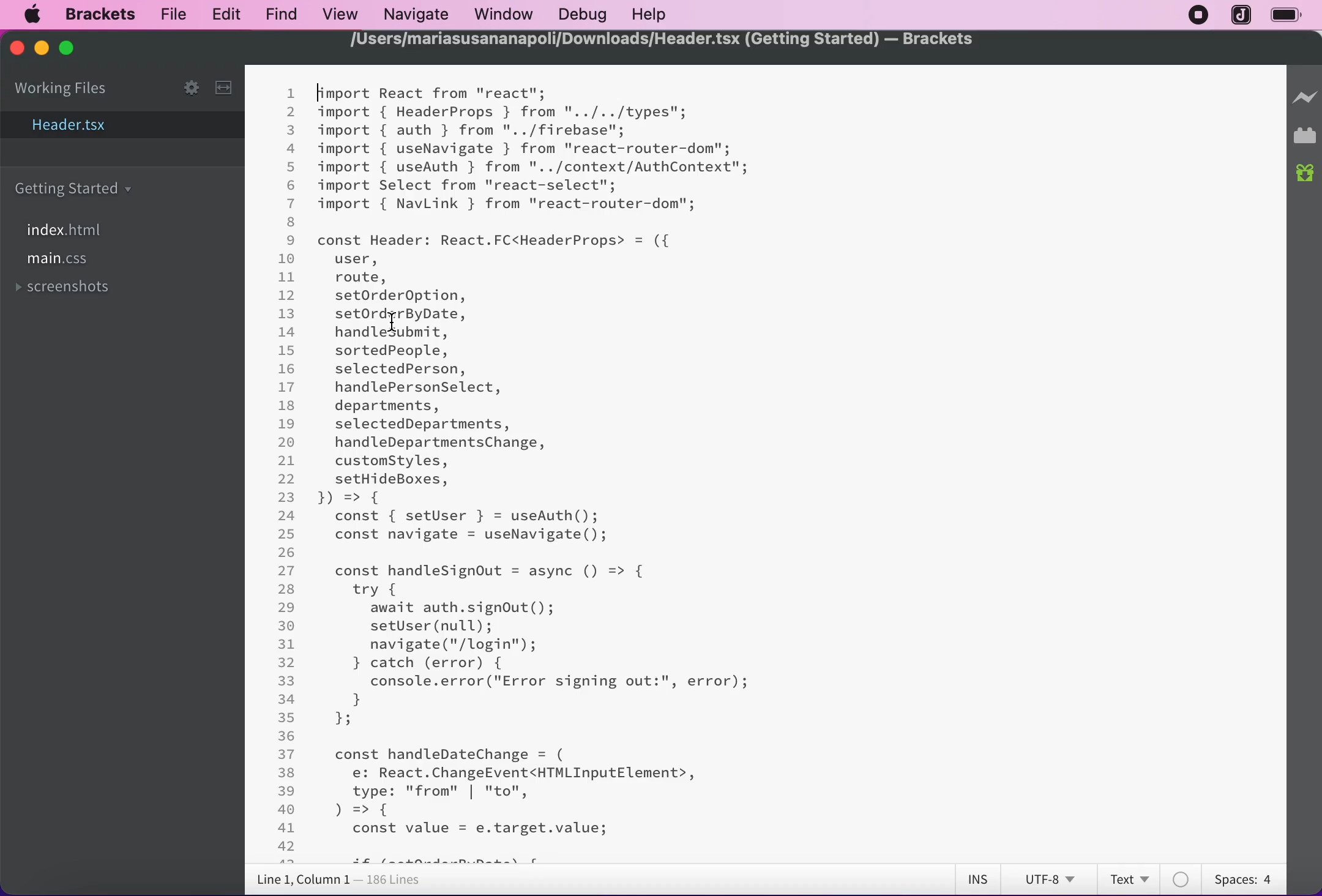  What do you see at coordinates (289, 130) in the screenshot?
I see `3` at bounding box center [289, 130].